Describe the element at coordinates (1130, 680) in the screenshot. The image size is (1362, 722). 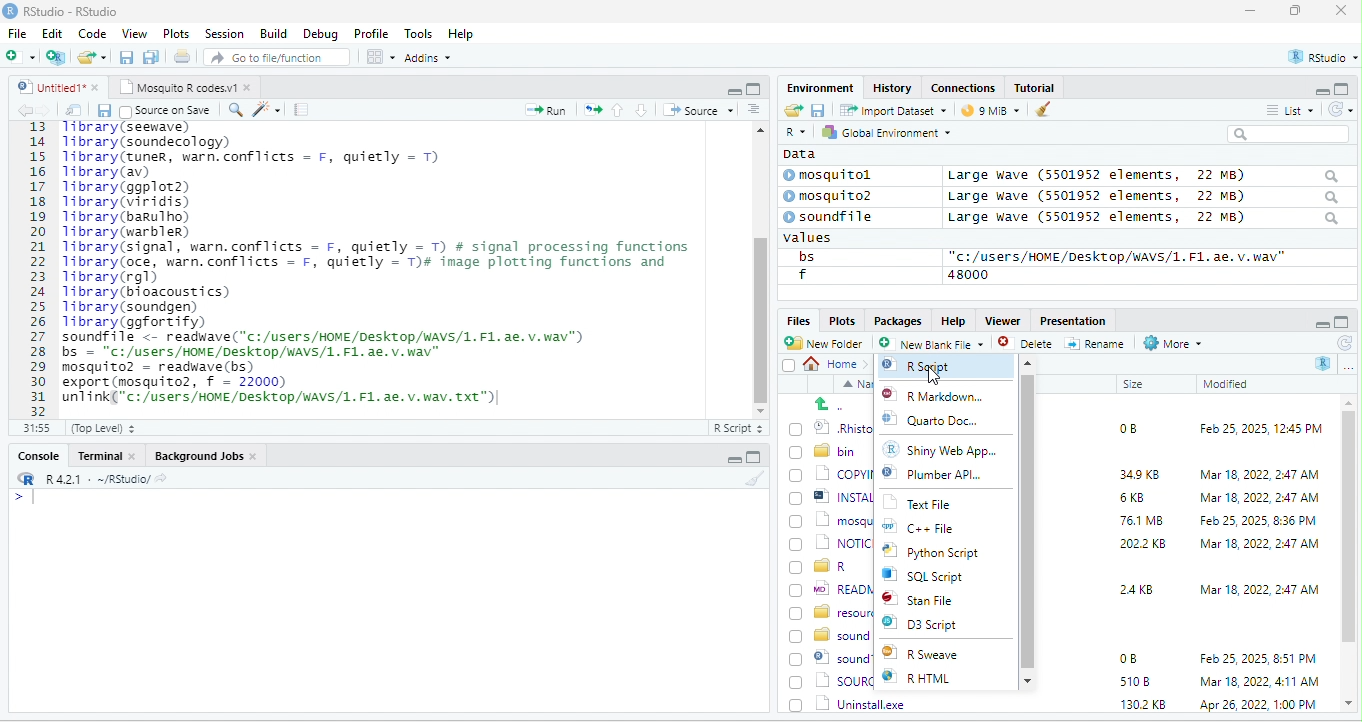
I see `5108` at that location.